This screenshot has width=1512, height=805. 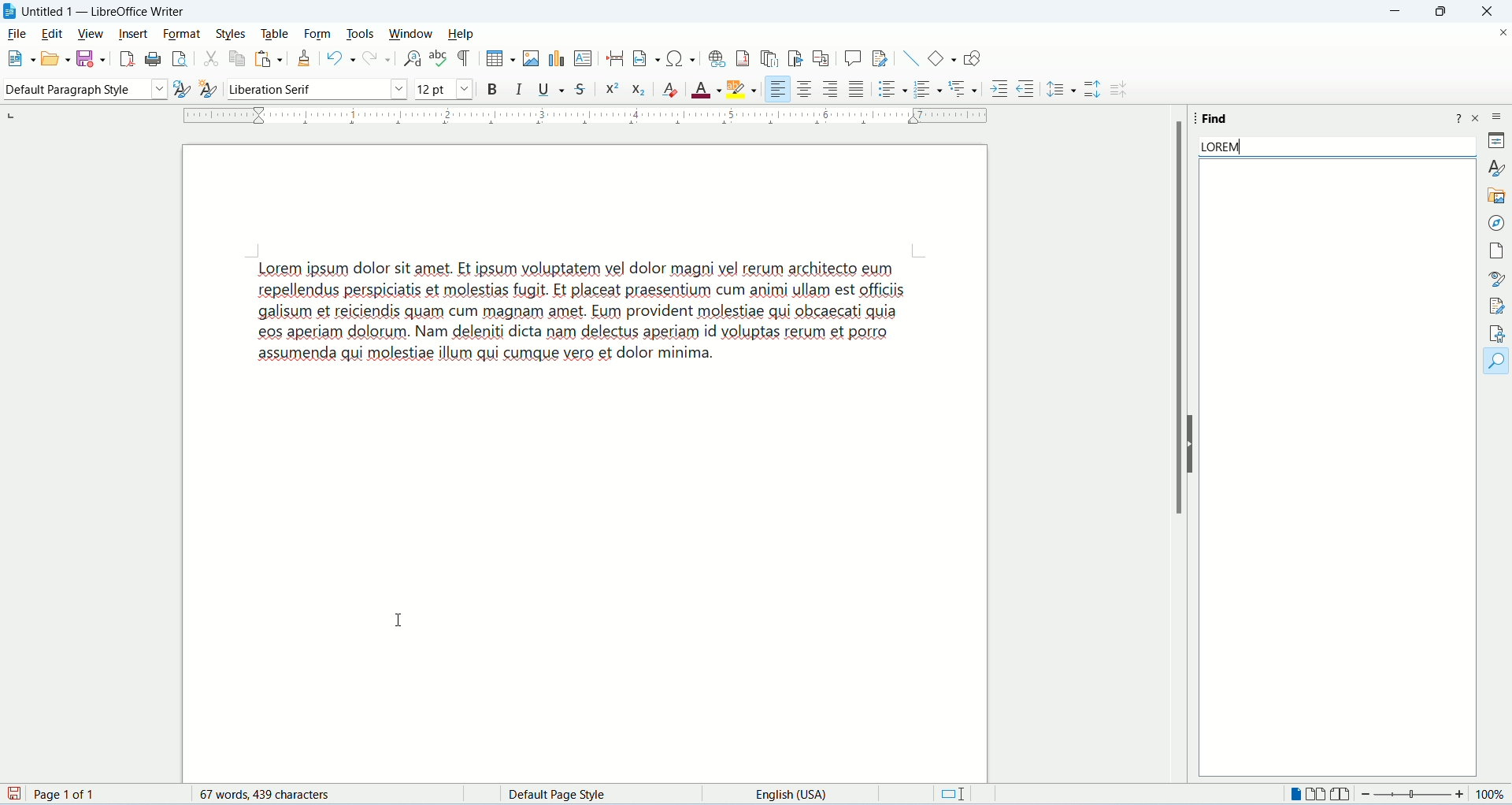 I want to click on insert special character, so click(x=681, y=58).